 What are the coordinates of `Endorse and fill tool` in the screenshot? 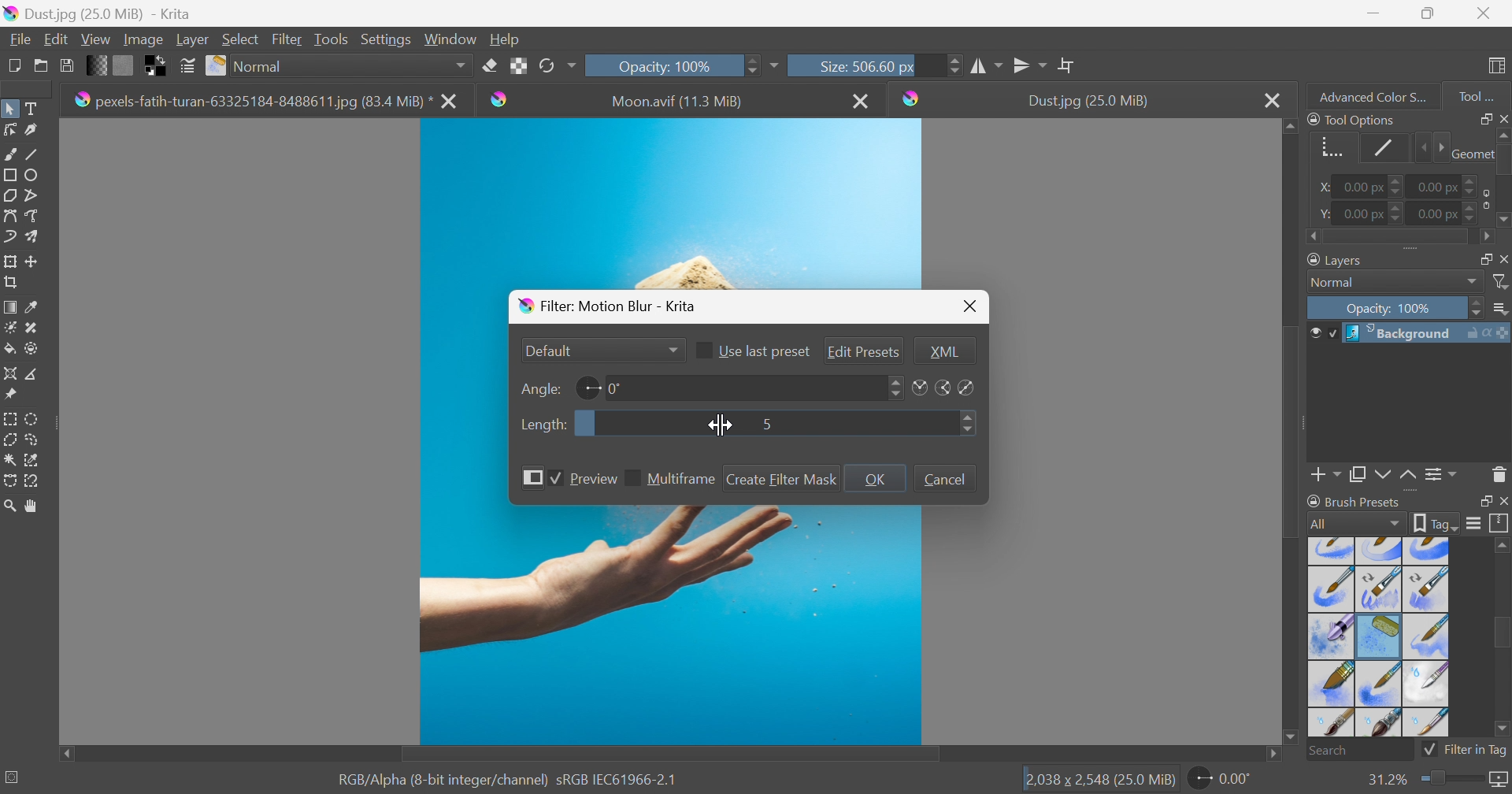 It's located at (31, 350).